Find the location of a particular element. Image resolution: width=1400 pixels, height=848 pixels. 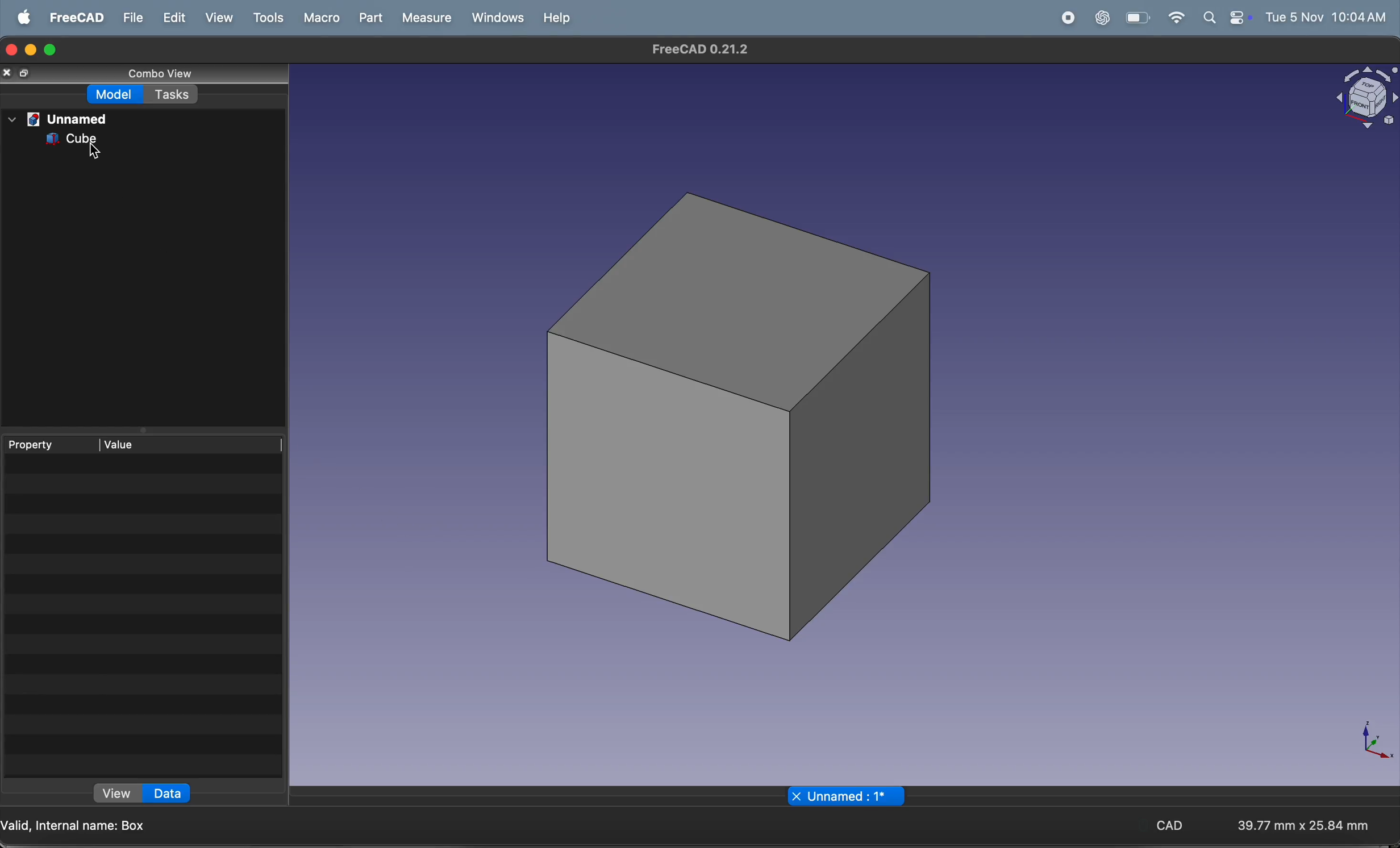

freecad tiltle is located at coordinates (703, 48).